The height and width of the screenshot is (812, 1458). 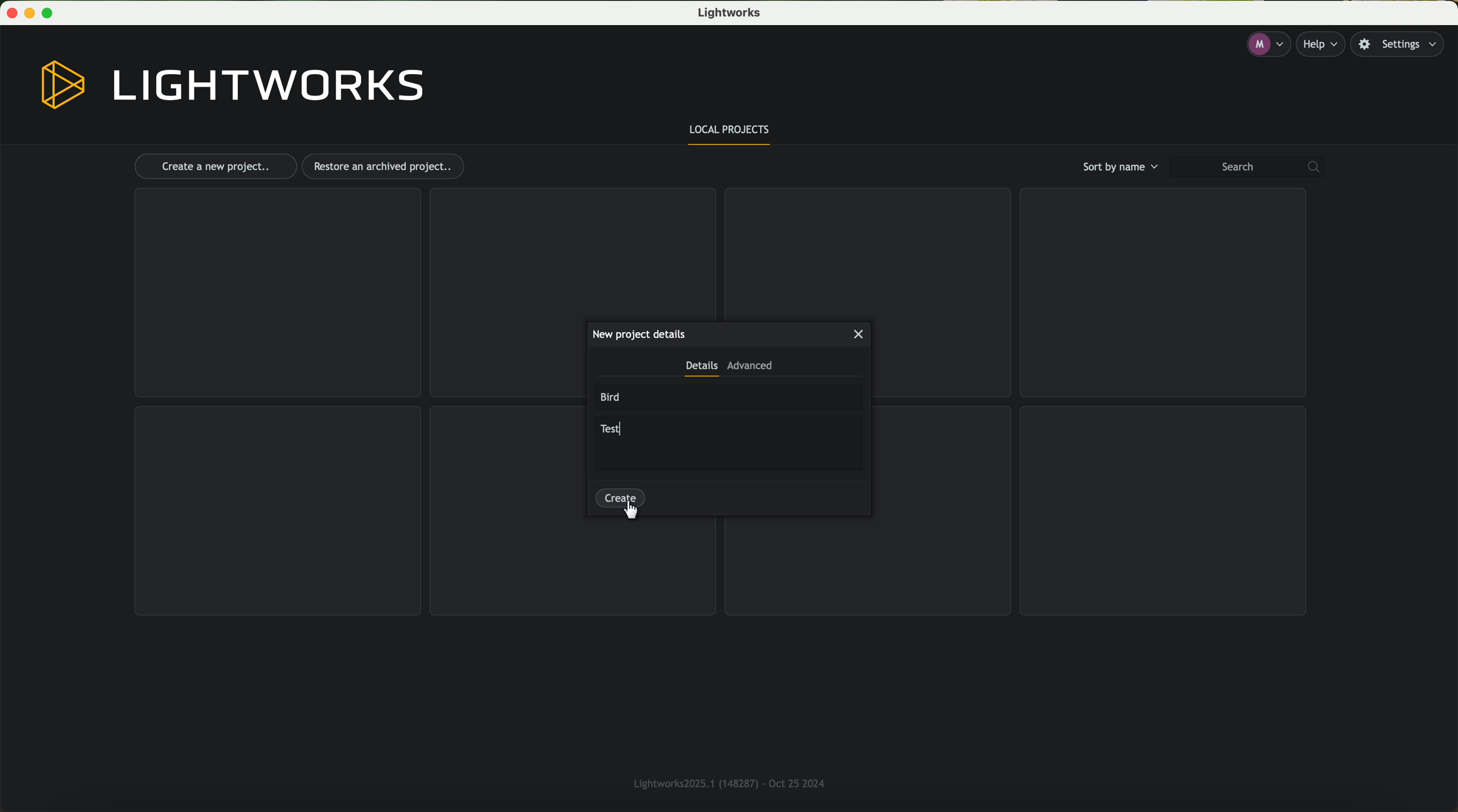 I want to click on Bird, so click(x=612, y=397).